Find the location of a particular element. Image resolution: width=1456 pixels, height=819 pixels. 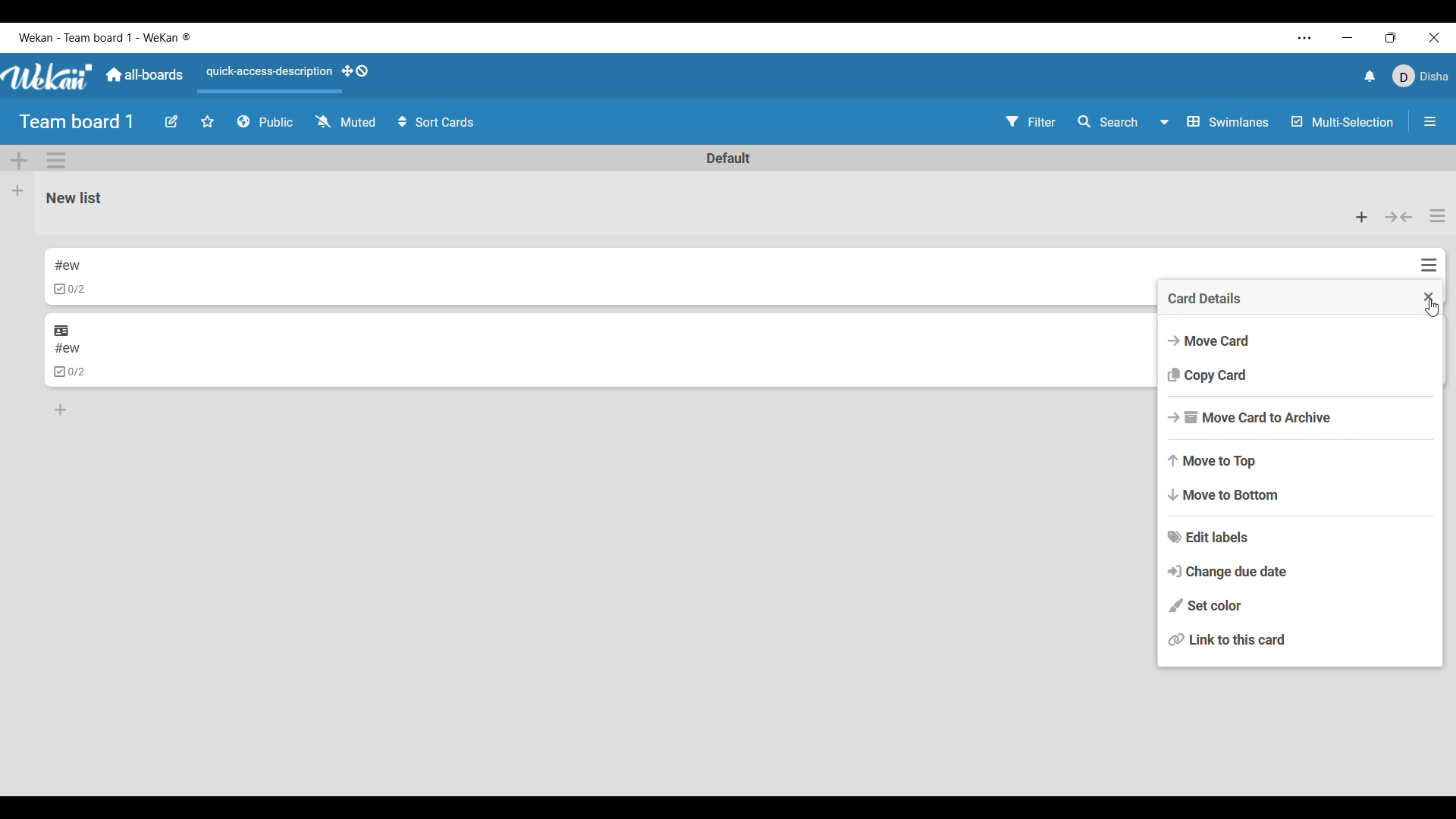

Move to top is located at coordinates (1301, 462).